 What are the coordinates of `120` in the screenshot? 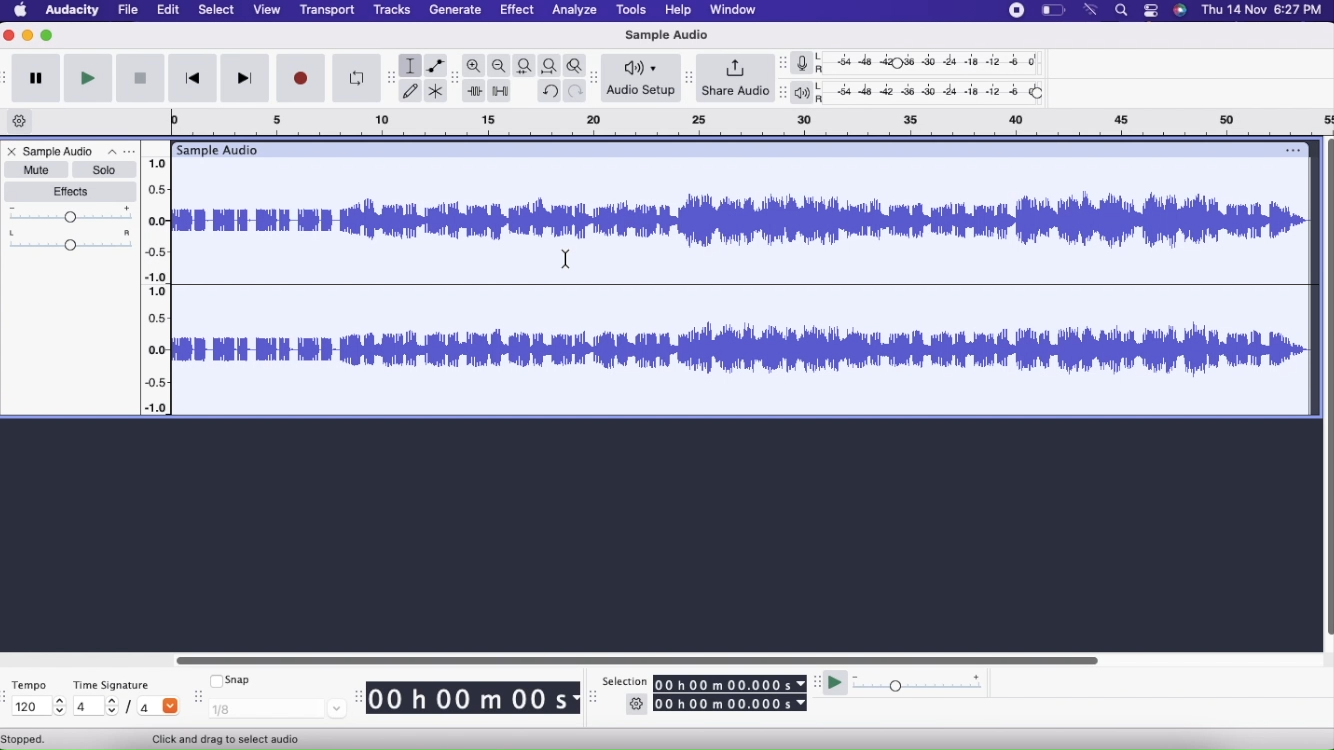 It's located at (36, 707).